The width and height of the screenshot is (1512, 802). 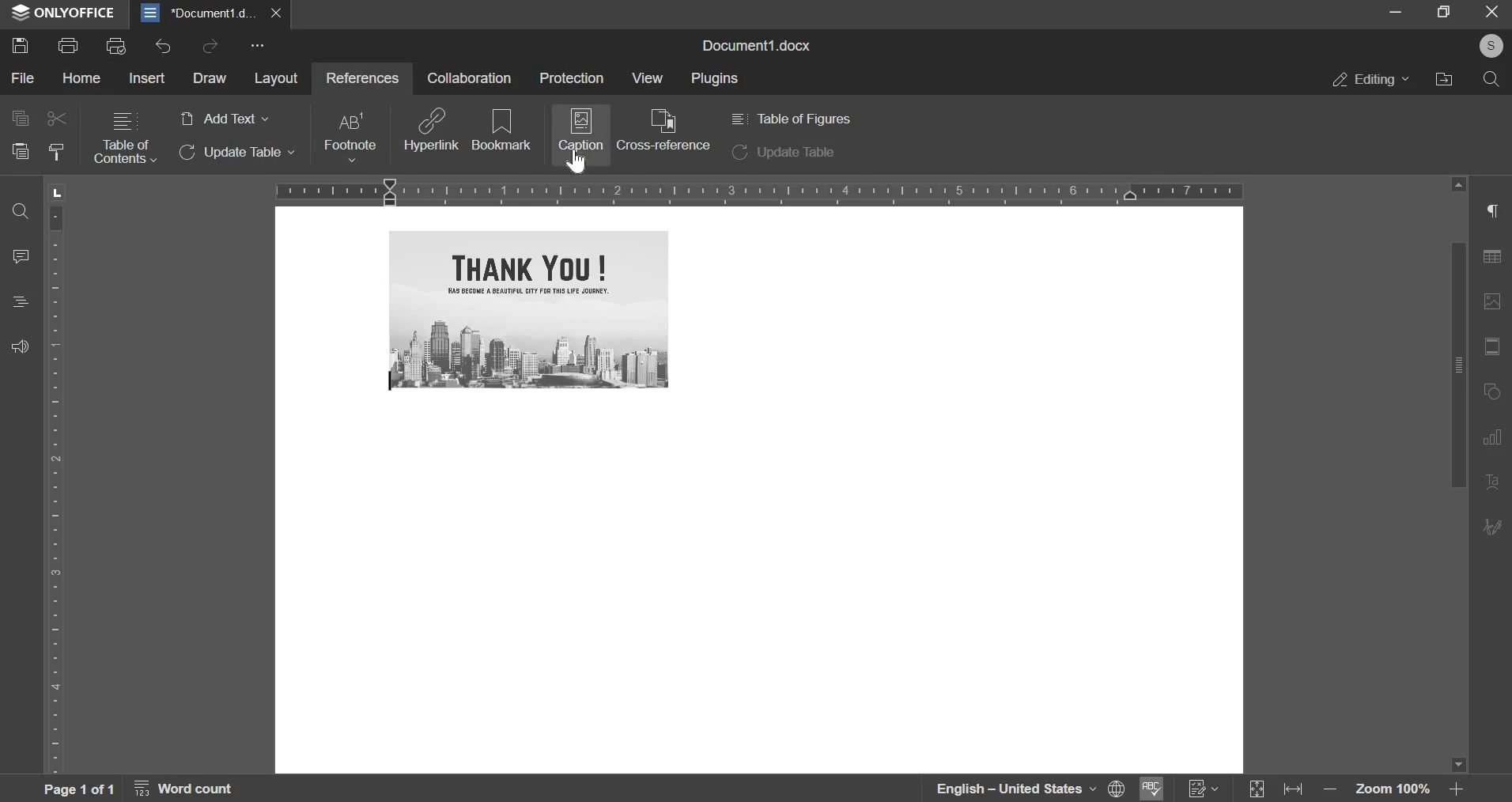 What do you see at coordinates (238, 153) in the screenshot?
I see `update table` at bounding box center [238, 153].